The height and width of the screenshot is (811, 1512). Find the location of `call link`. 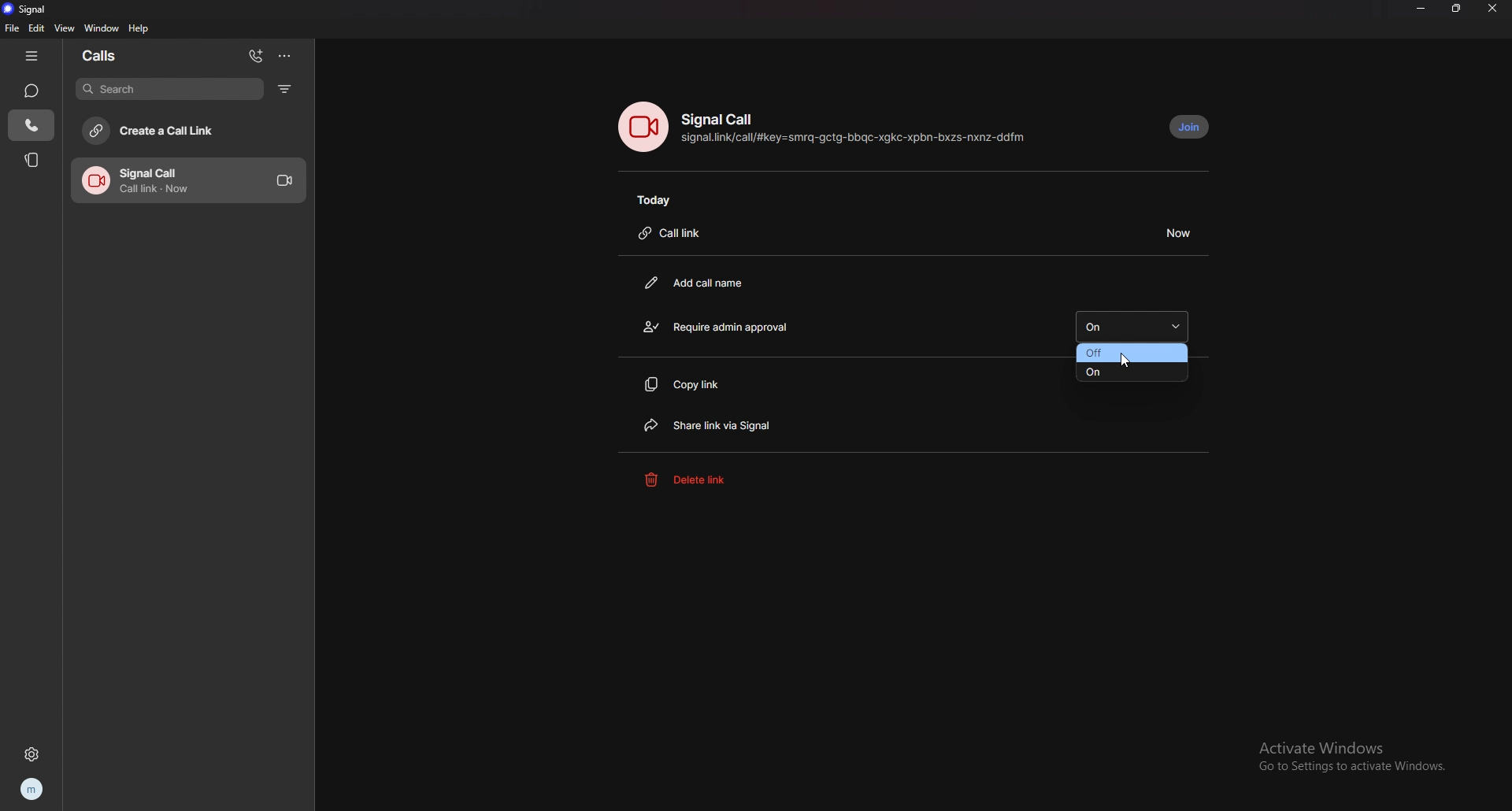

call link is located at coordinates (674, 233).